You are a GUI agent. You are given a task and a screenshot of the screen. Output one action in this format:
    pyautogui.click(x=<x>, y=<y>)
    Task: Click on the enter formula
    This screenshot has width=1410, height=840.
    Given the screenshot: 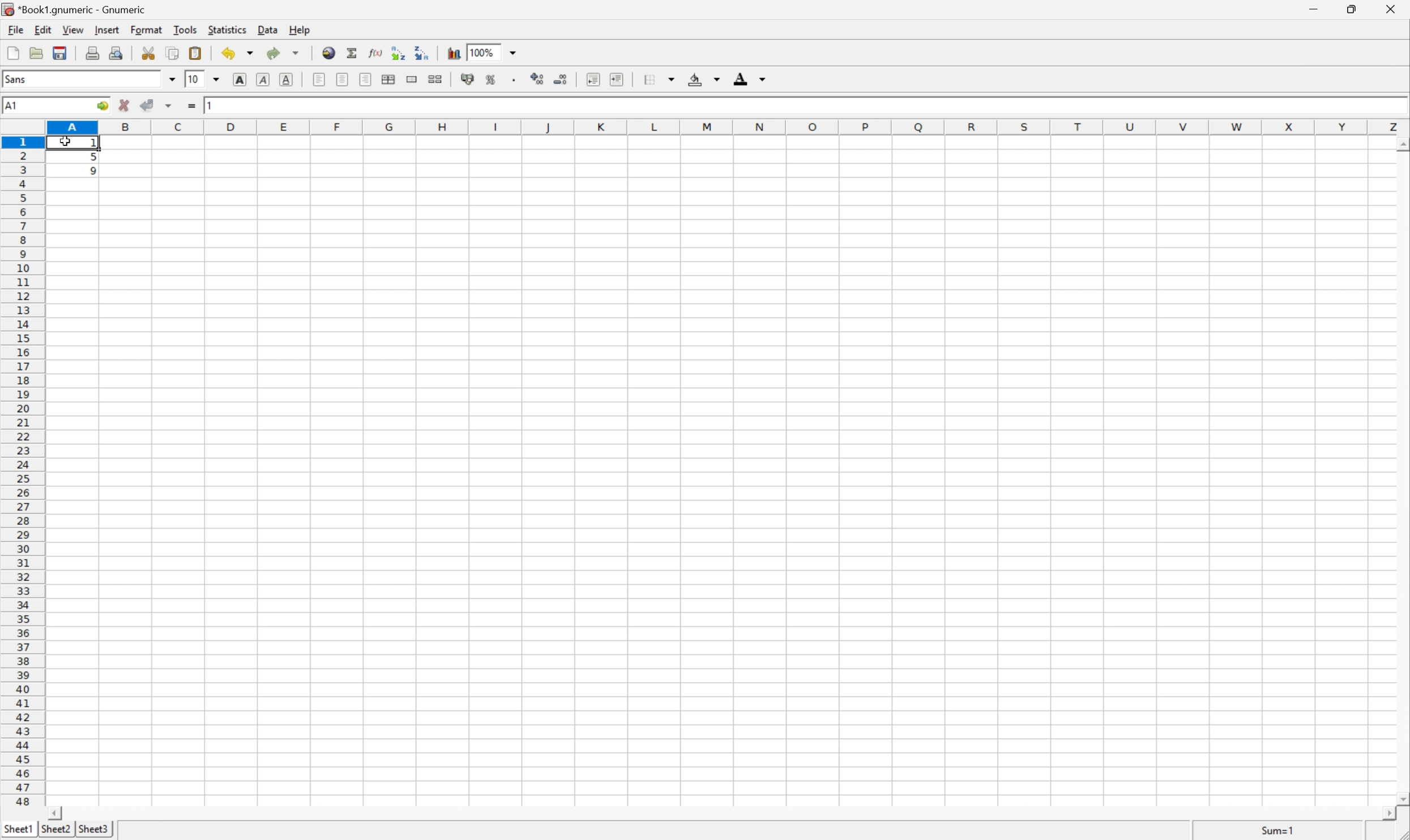 What is the action you would take?
    pyautogui.click(x=192, y=106)
    